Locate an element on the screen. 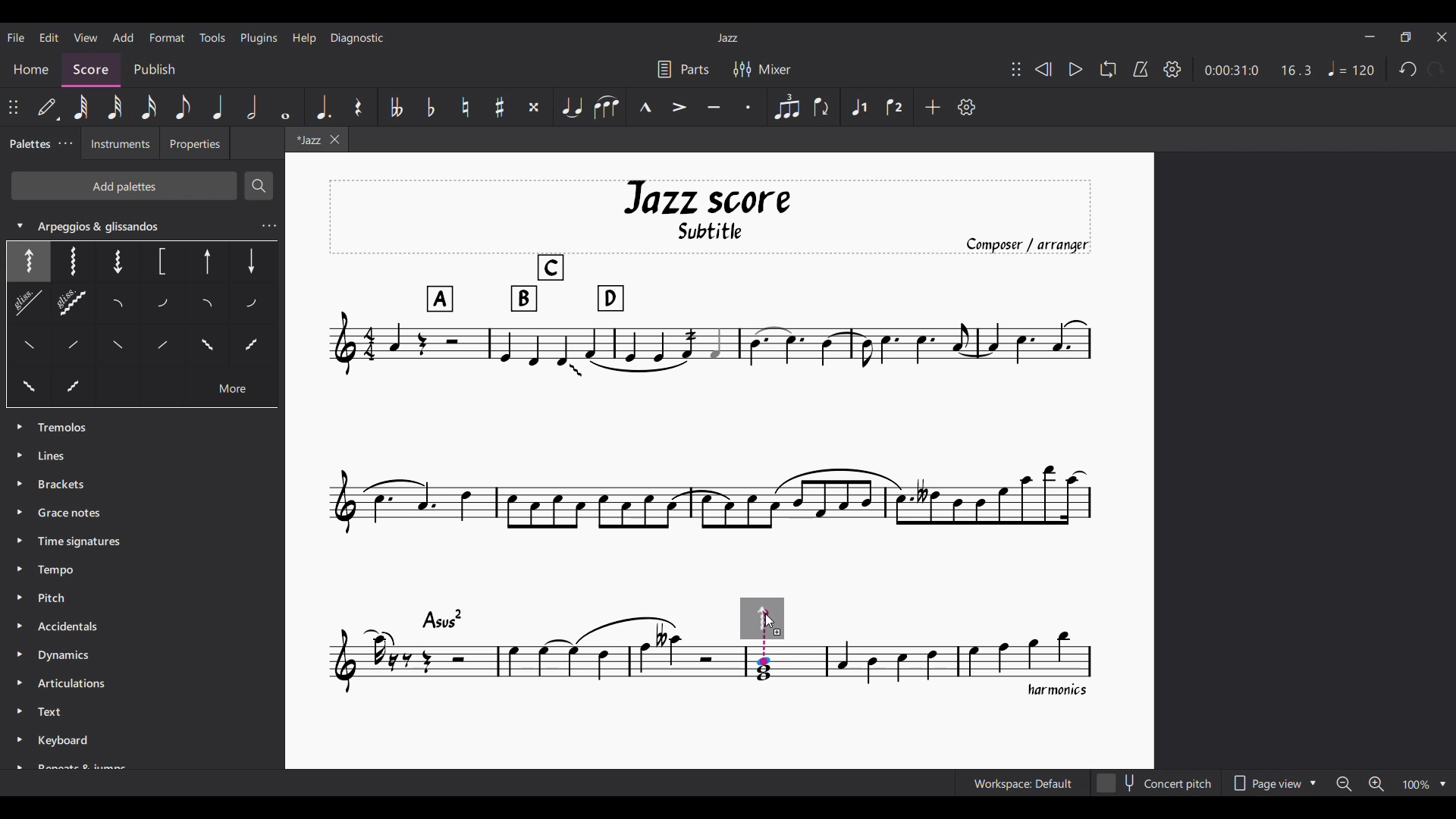 The width and height of the screenshot is (1456, 819). Customization settings is located at coordinates (966, 107).